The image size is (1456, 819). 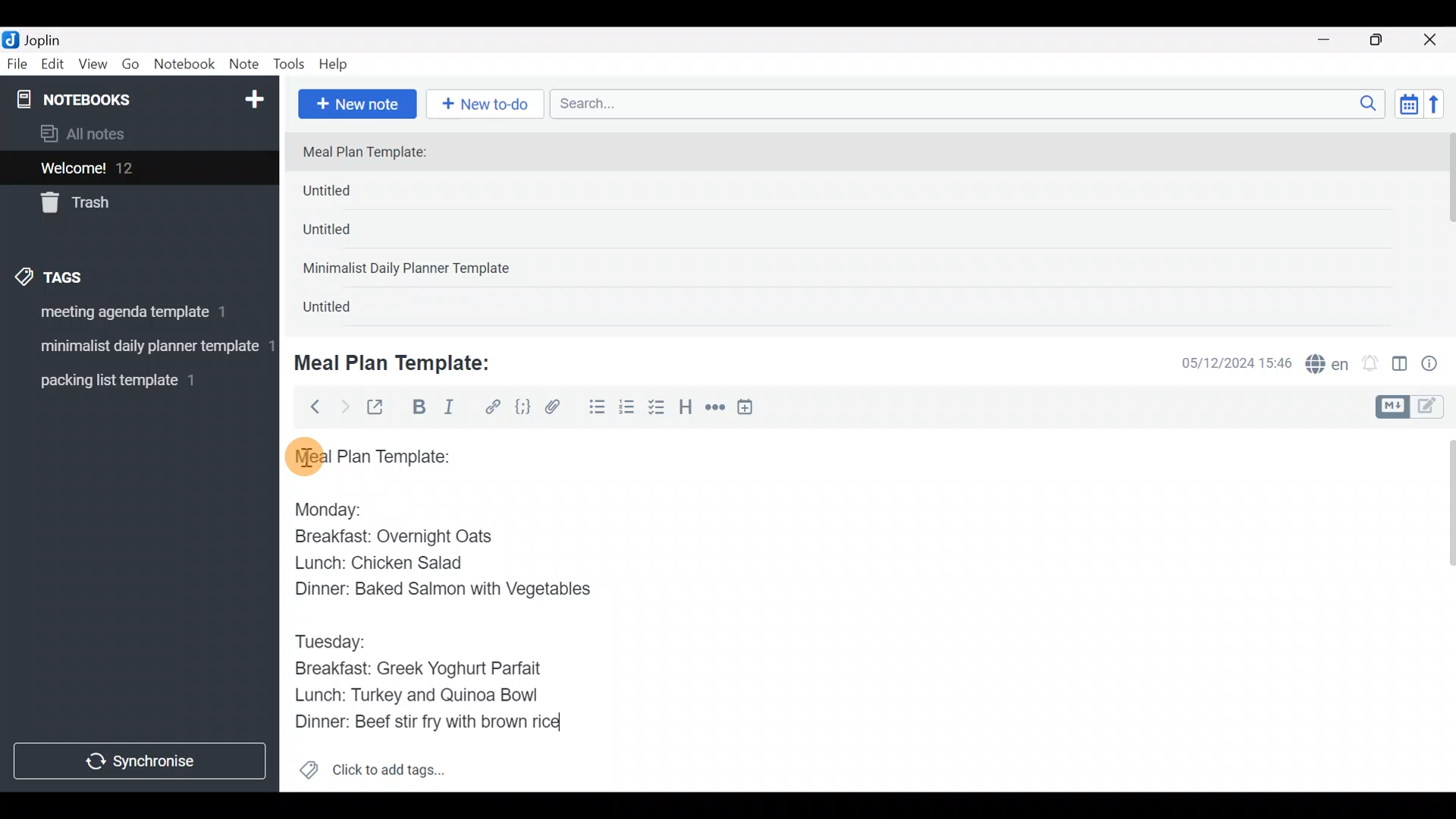 What do you see at coordinates (377, 563) in the screenshot?
I see `Lunch: Chicken Salad` at bounding box center [377, 563].